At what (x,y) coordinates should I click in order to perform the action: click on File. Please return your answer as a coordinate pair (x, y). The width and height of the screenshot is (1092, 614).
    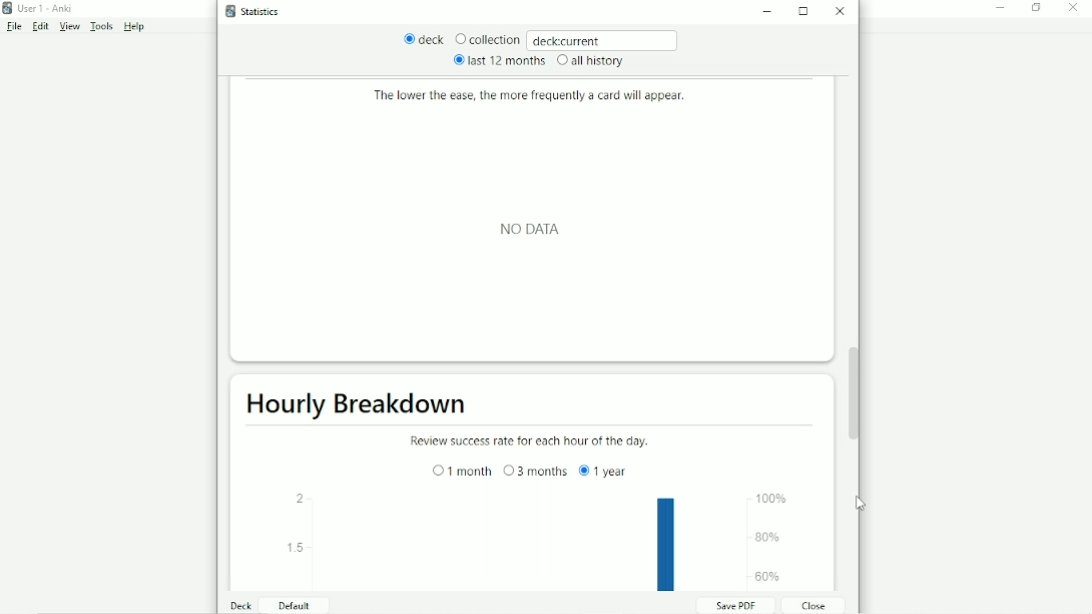
    Looking at the image, I should click on (13, 27).